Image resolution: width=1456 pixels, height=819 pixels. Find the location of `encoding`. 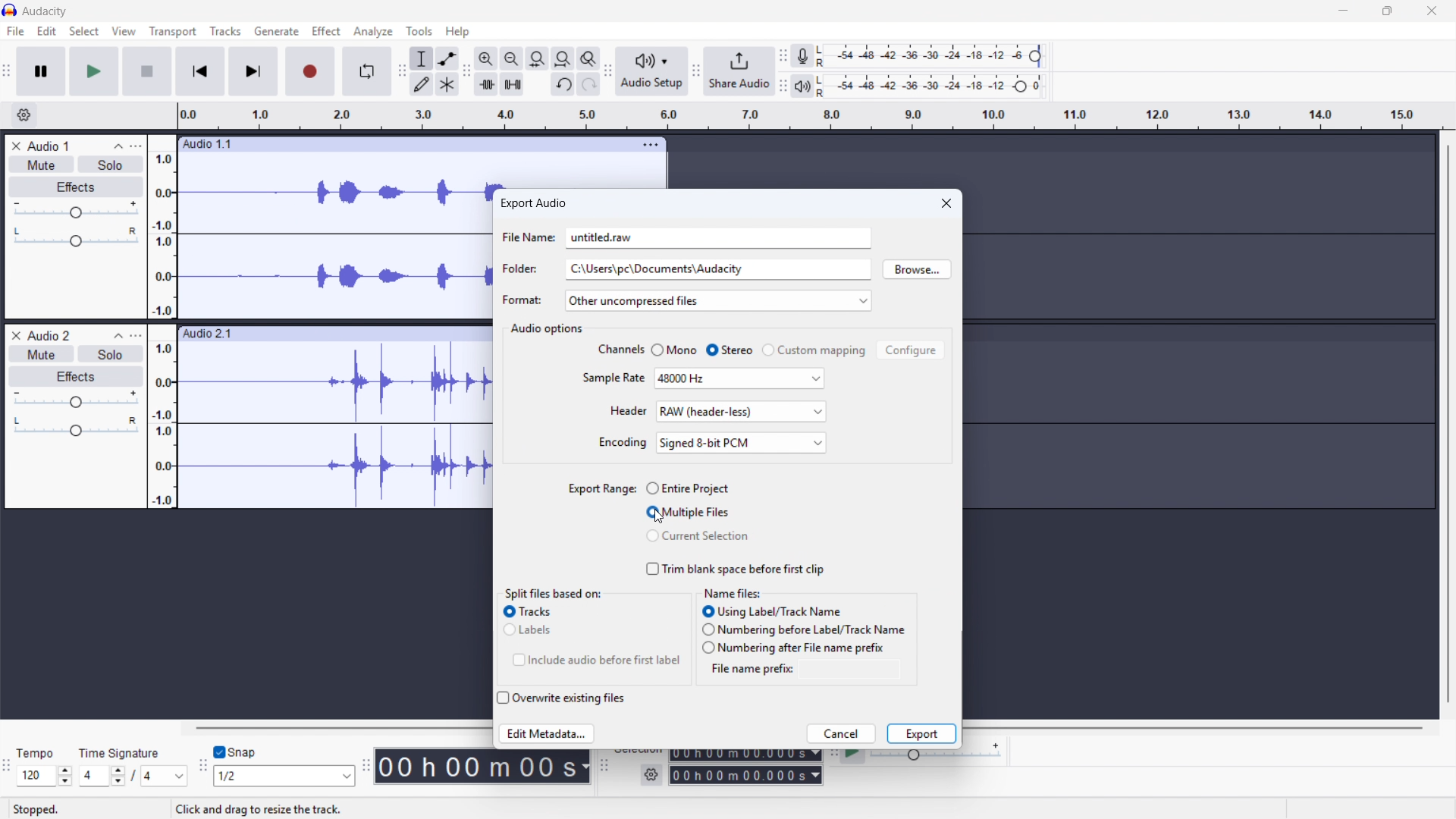

encoding is located at coordinates (623, 442).